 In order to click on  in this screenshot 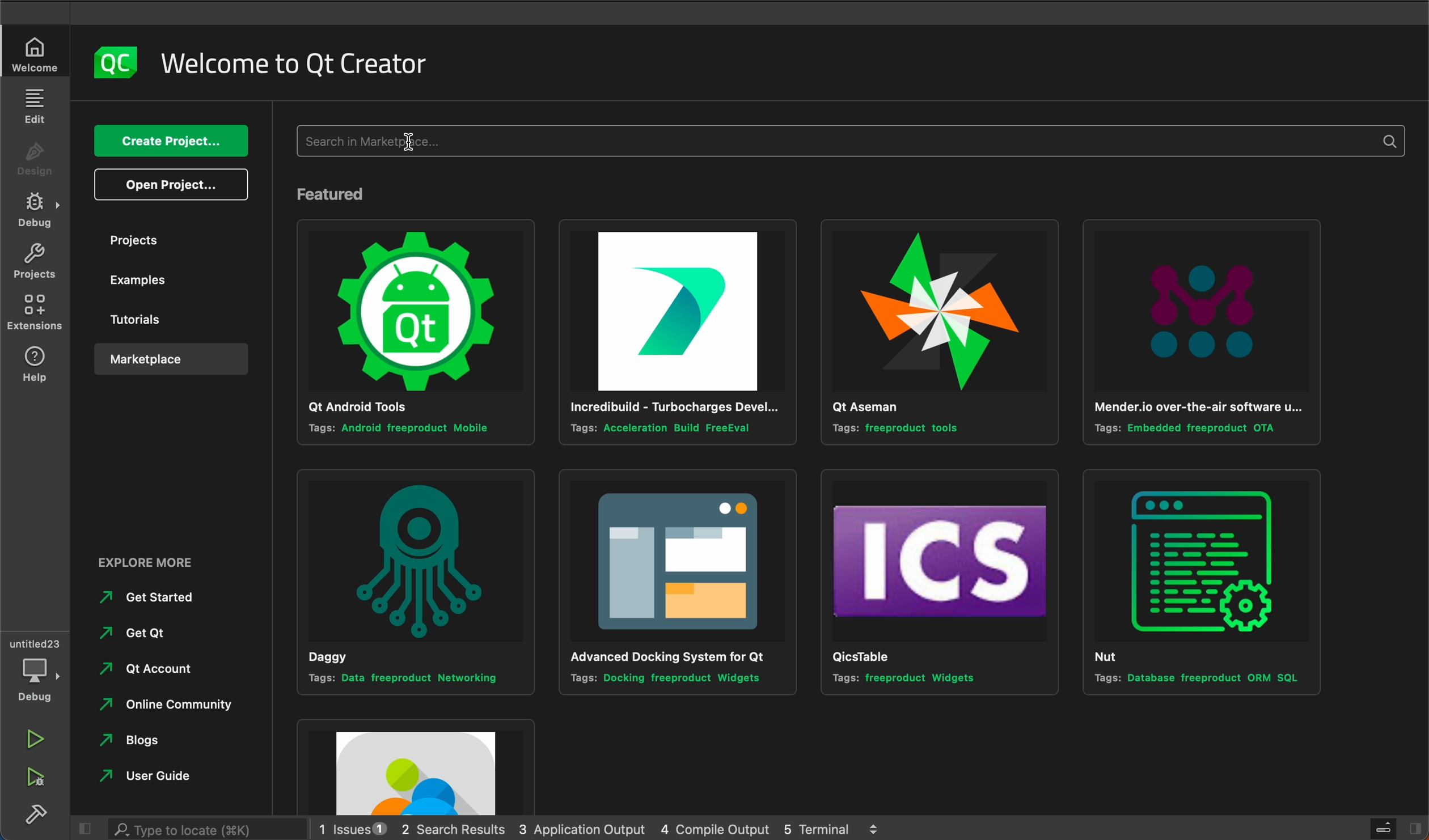, I will do `click(150, 668)`.